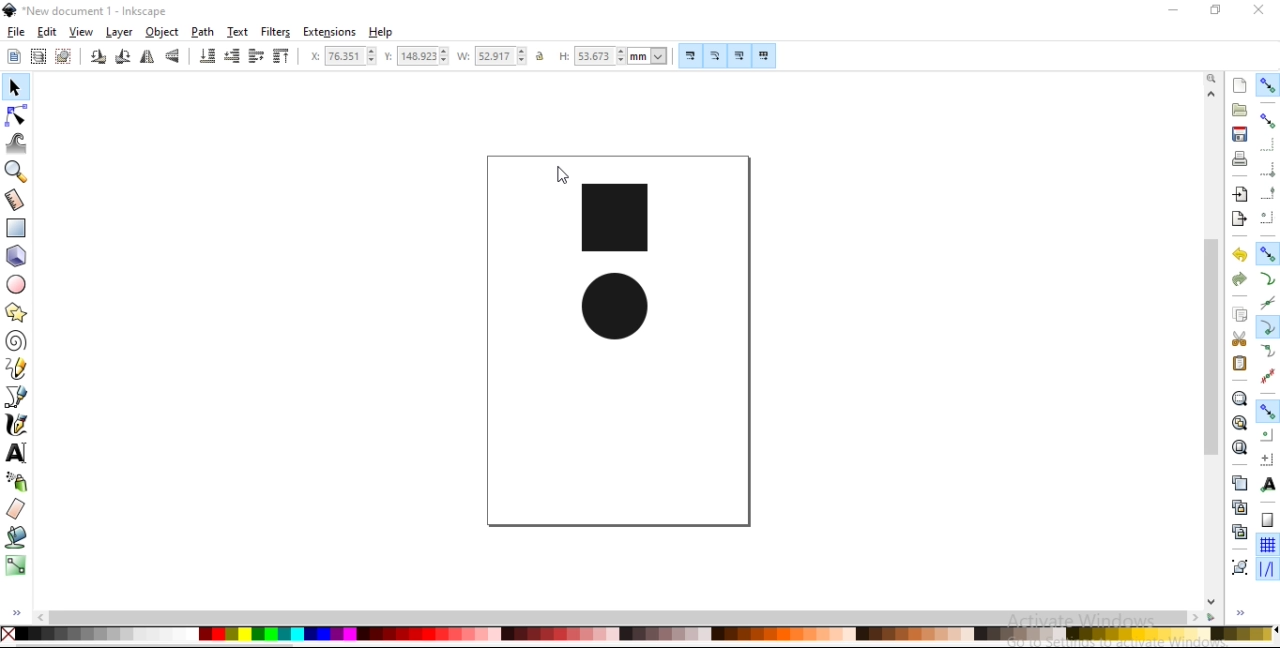  I want to click on snap to edges of bounding box, so click(1268, 146).